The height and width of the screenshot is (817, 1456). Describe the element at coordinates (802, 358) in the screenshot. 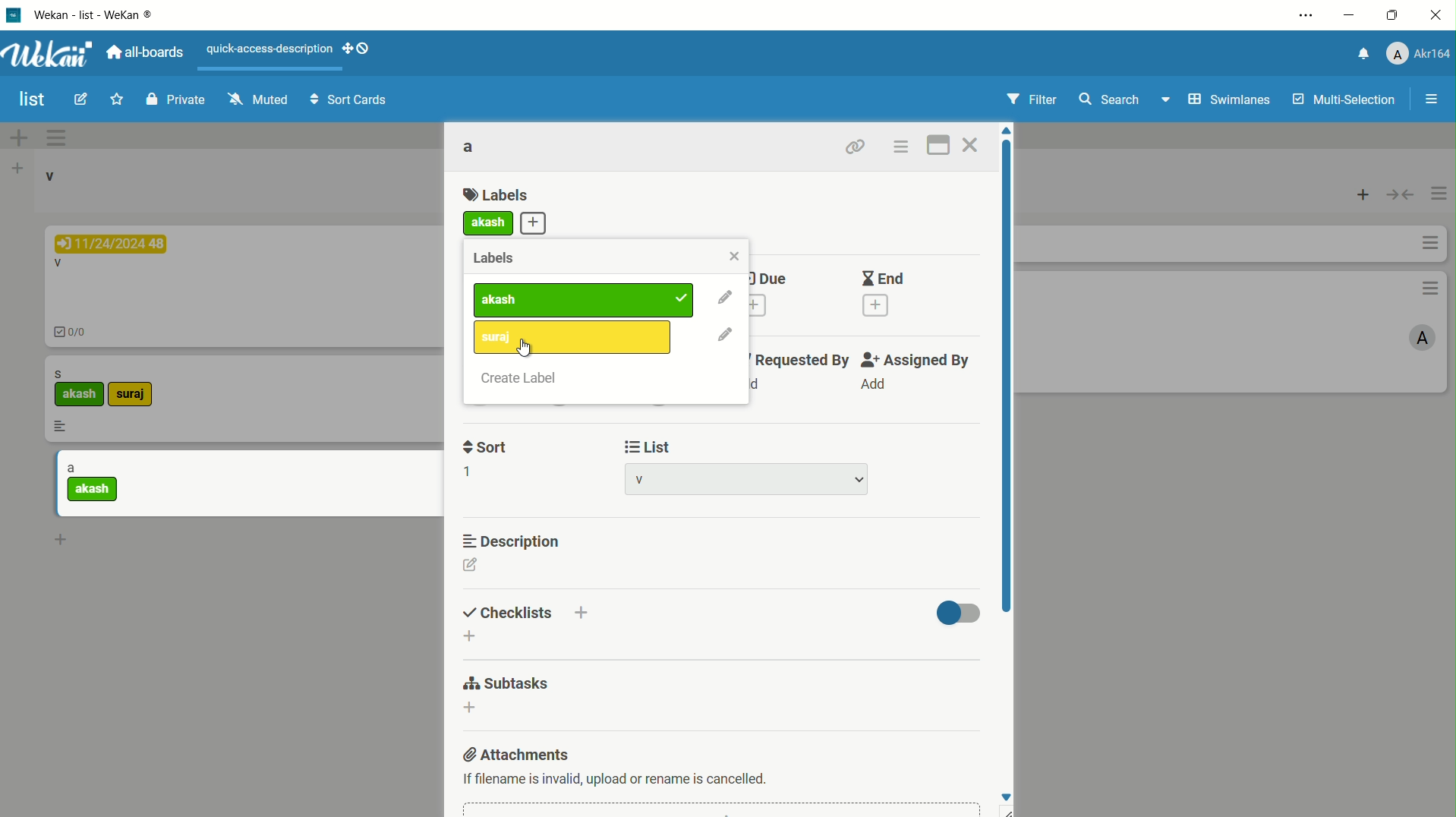

I see `requested by` at that location.